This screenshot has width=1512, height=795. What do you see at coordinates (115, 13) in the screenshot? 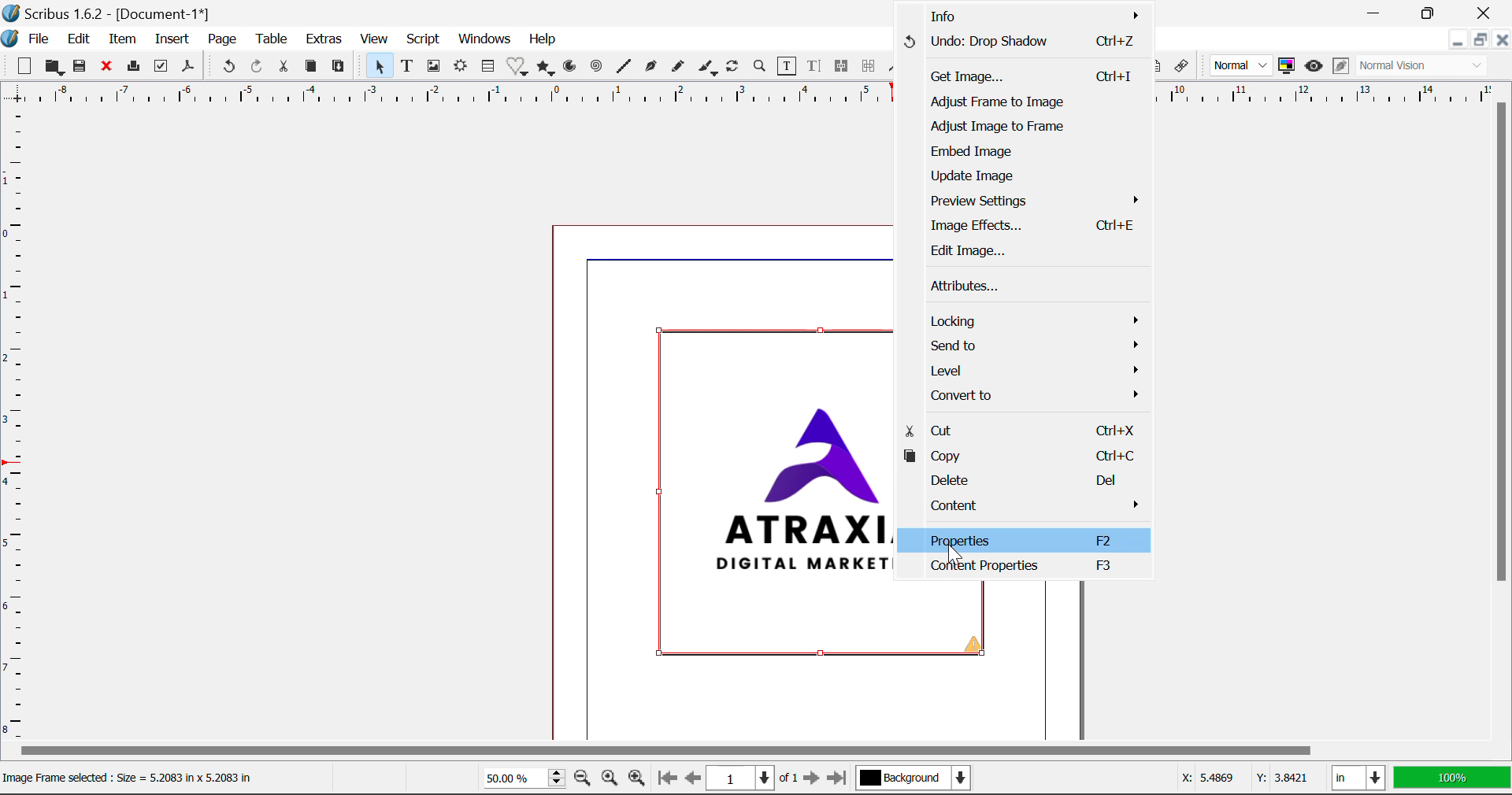
I see `Scribus 1.6.2 - [Document-1*]` at bounding box center [115, 13].